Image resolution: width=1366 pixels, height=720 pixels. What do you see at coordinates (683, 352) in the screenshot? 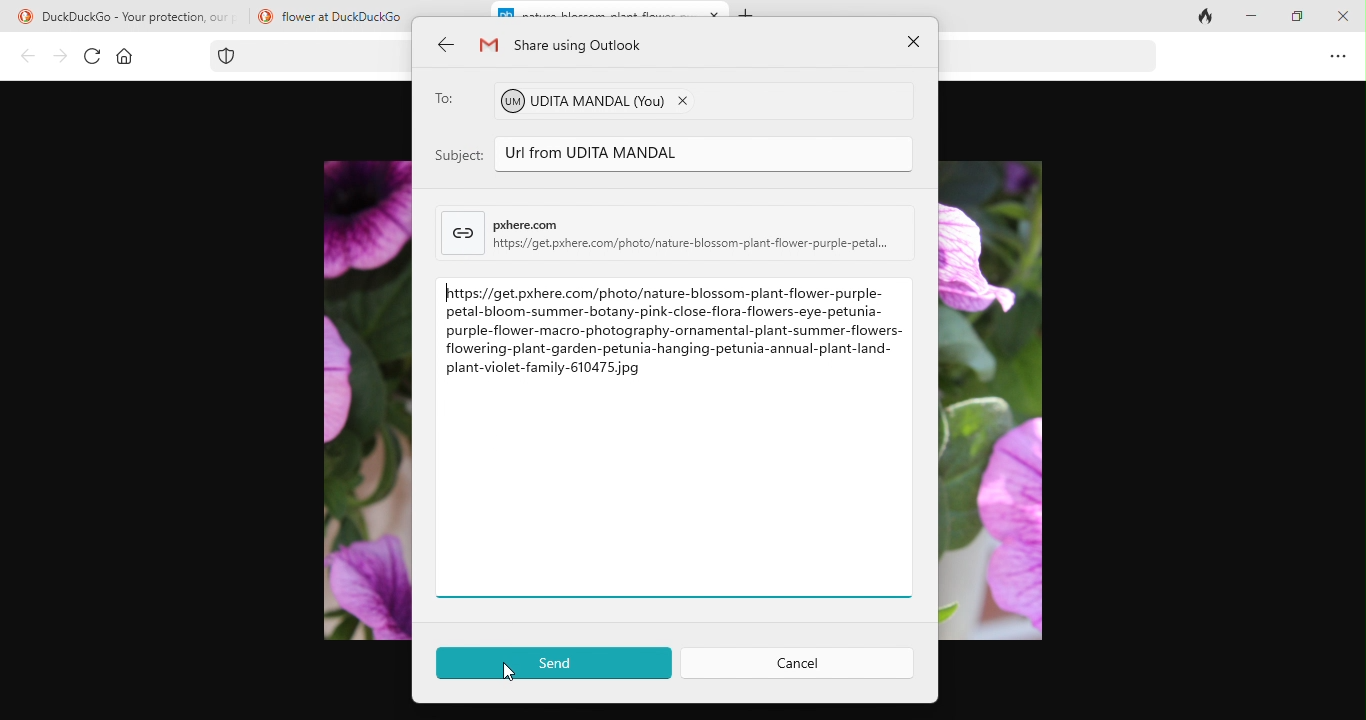
I see `https://get.pxhere.com/photo/nature-blossom-plant-flower-purple-
petal-bloom-summer-botany-pink-close-flora-flowers-eye-petunia-
purple-flower-macro-photography-ornamental-plant-summer-flowers-
flowering-plant-garden-petunia-hanging-petunia-annual-plant-land-
plant-violet-family-610475 pg` at bounding box center [683, 352].